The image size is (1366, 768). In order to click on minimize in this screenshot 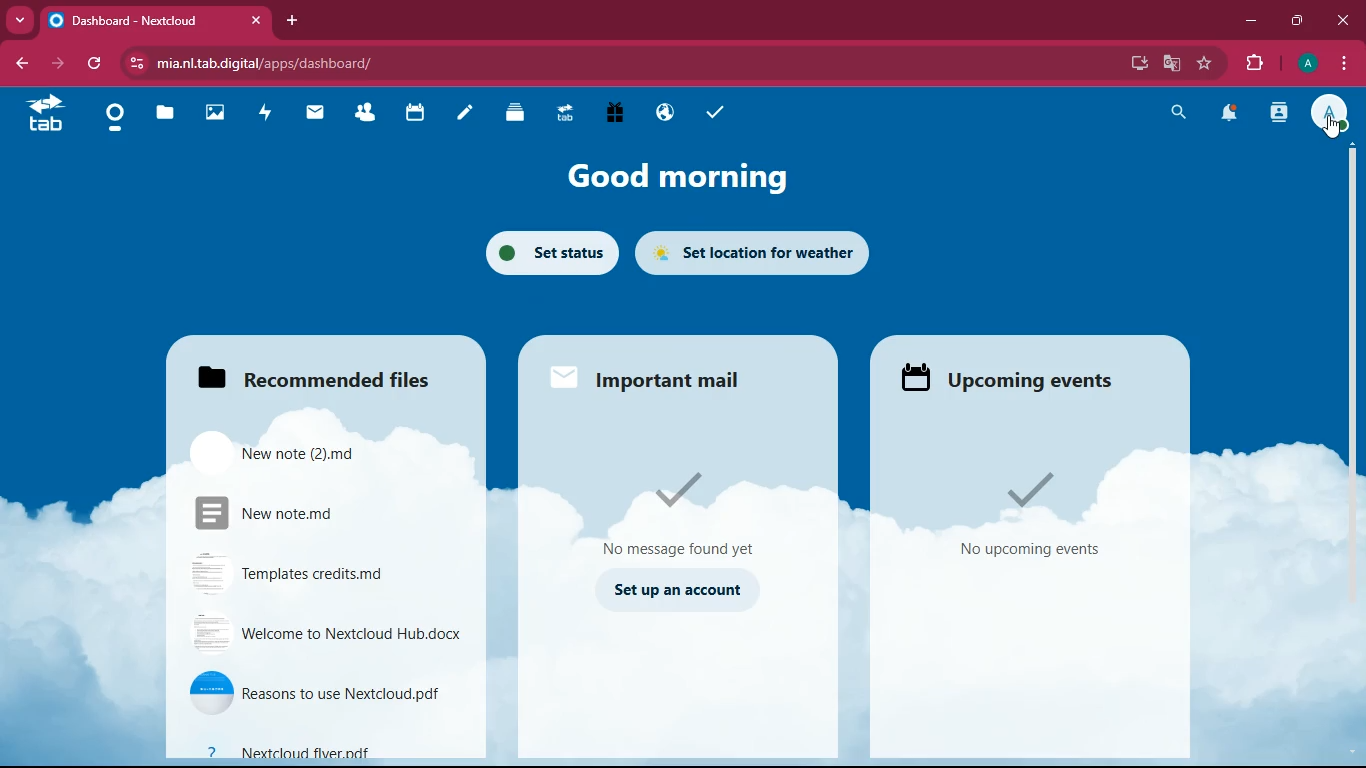, I will do `click(1251, 21)`.